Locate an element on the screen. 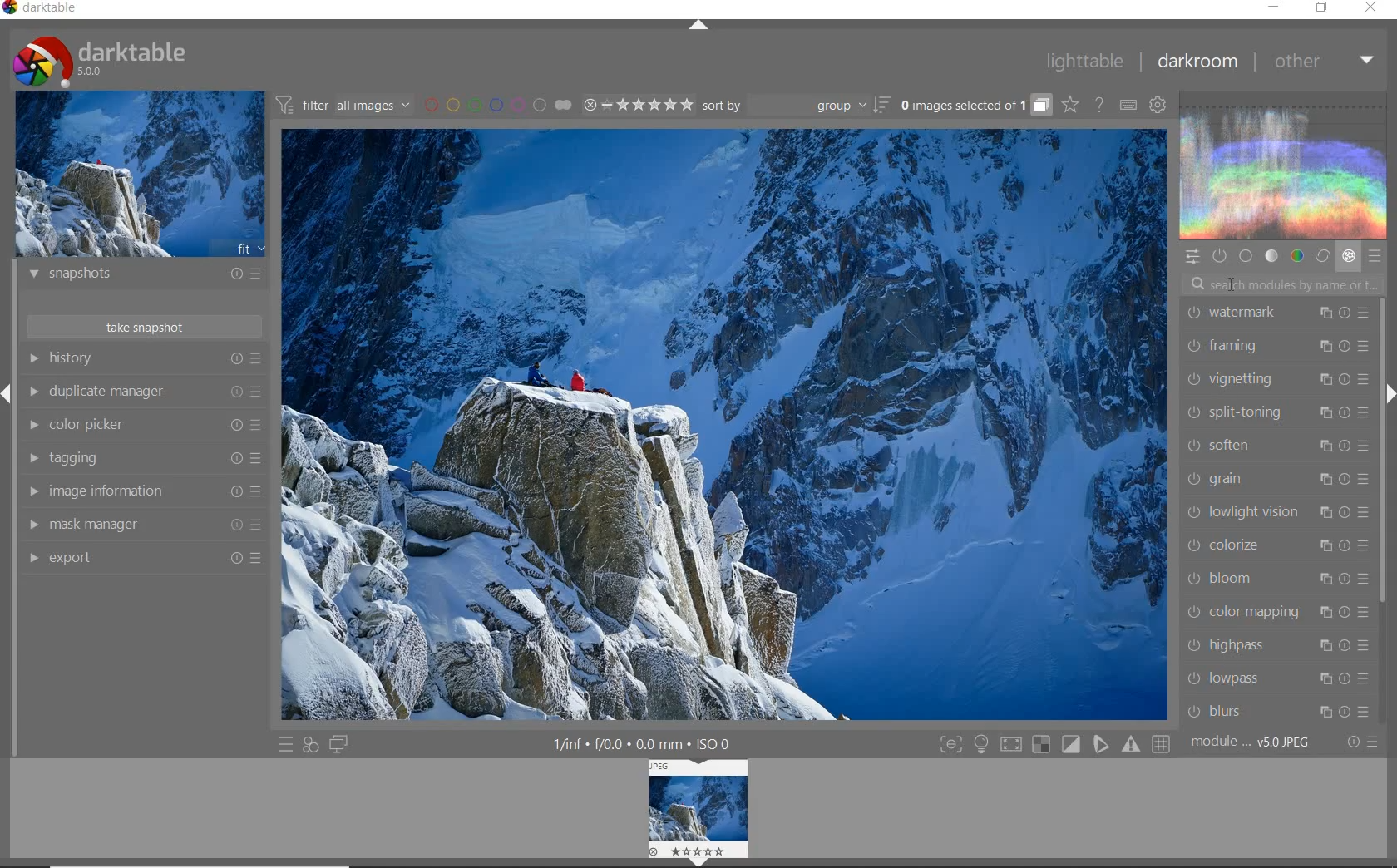 The image size is (1397, 868). colorize is located at coordinates (1275, 545).